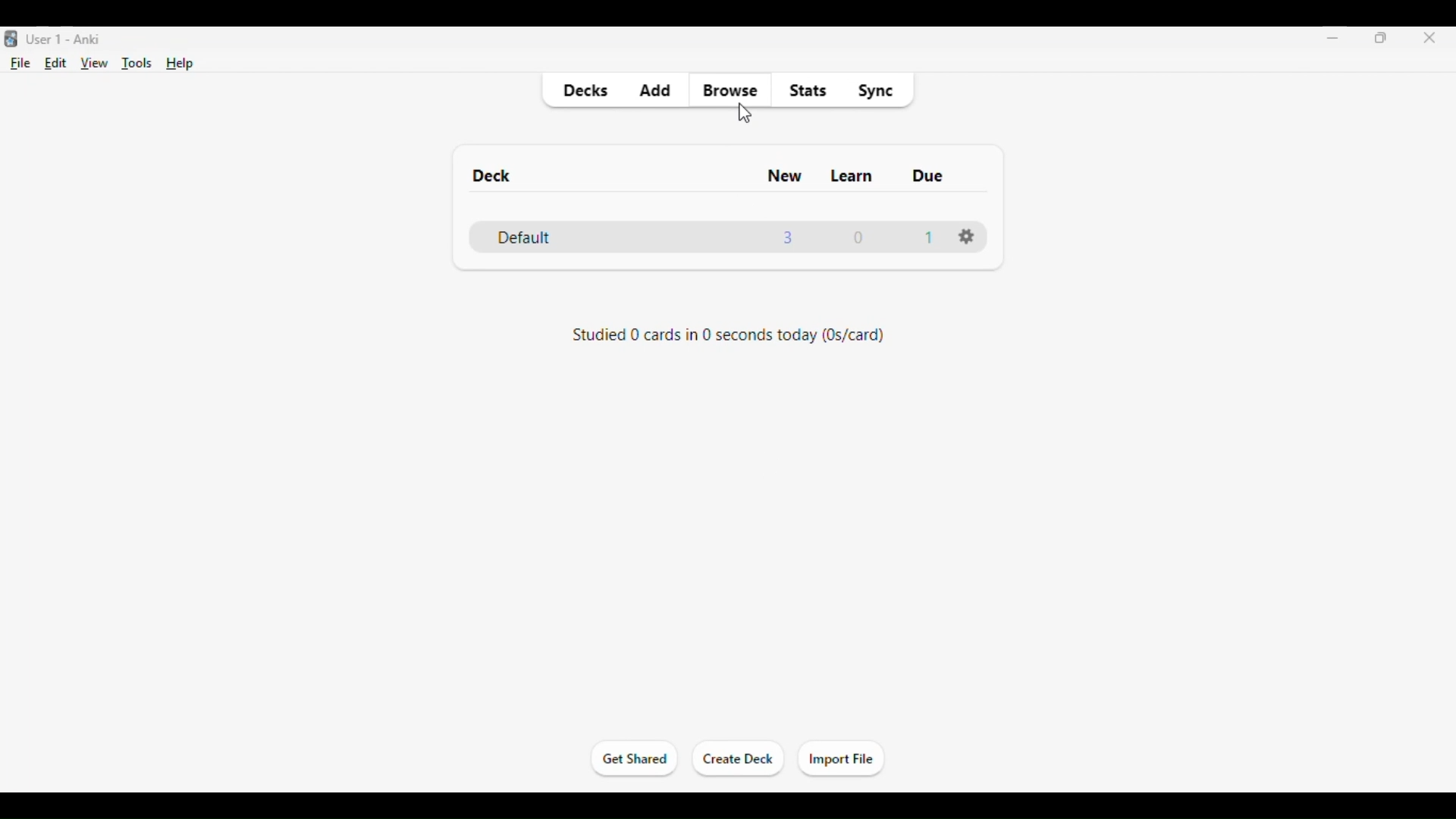  What do you see at coordinates (861, 237) in the screenshot?
I see `0` at bounding box center [861, 237].